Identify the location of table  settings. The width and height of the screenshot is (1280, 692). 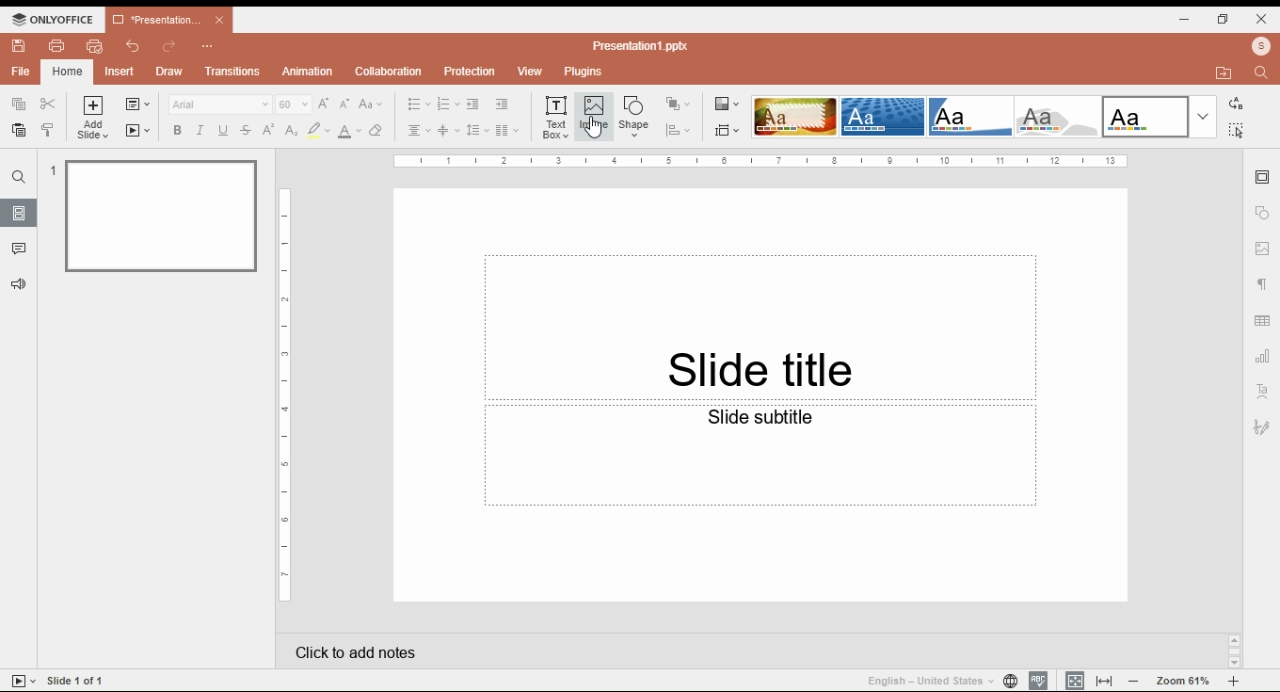
(1263, 321).